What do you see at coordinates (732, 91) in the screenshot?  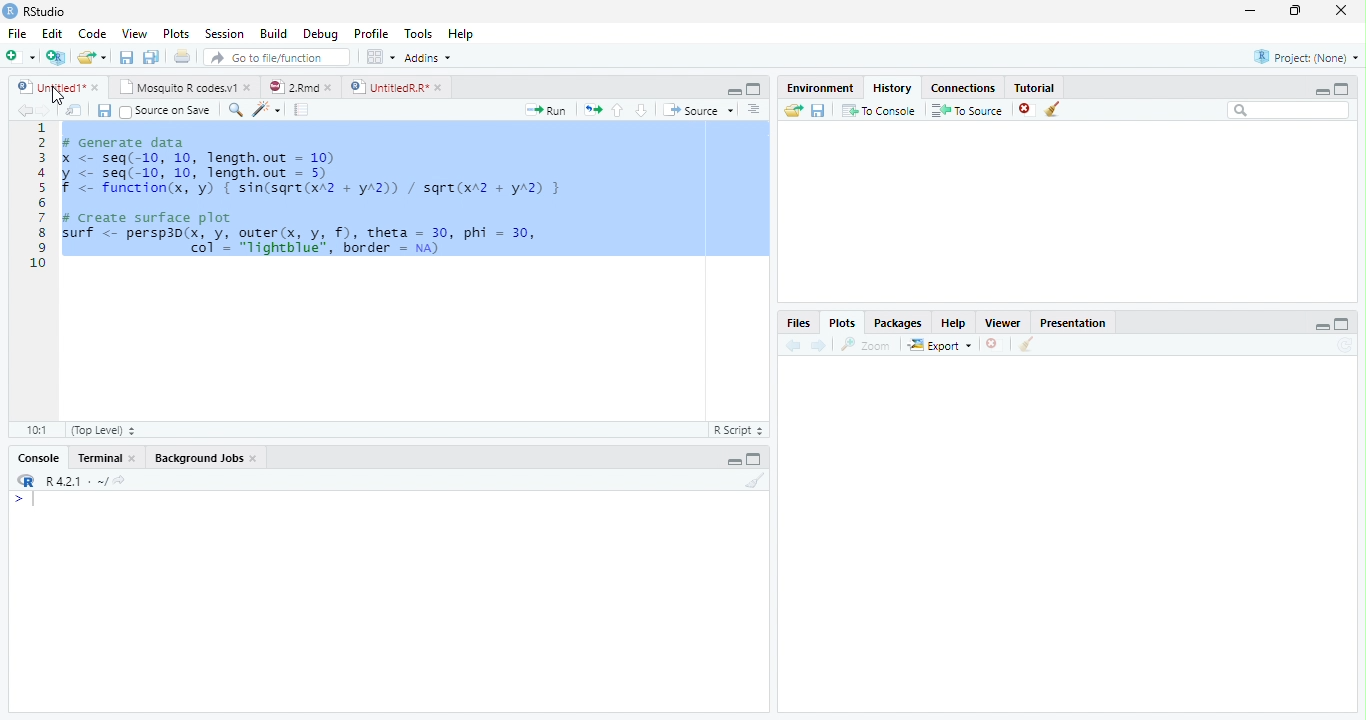 I see `Minimize` at bounding box center [732, 91].